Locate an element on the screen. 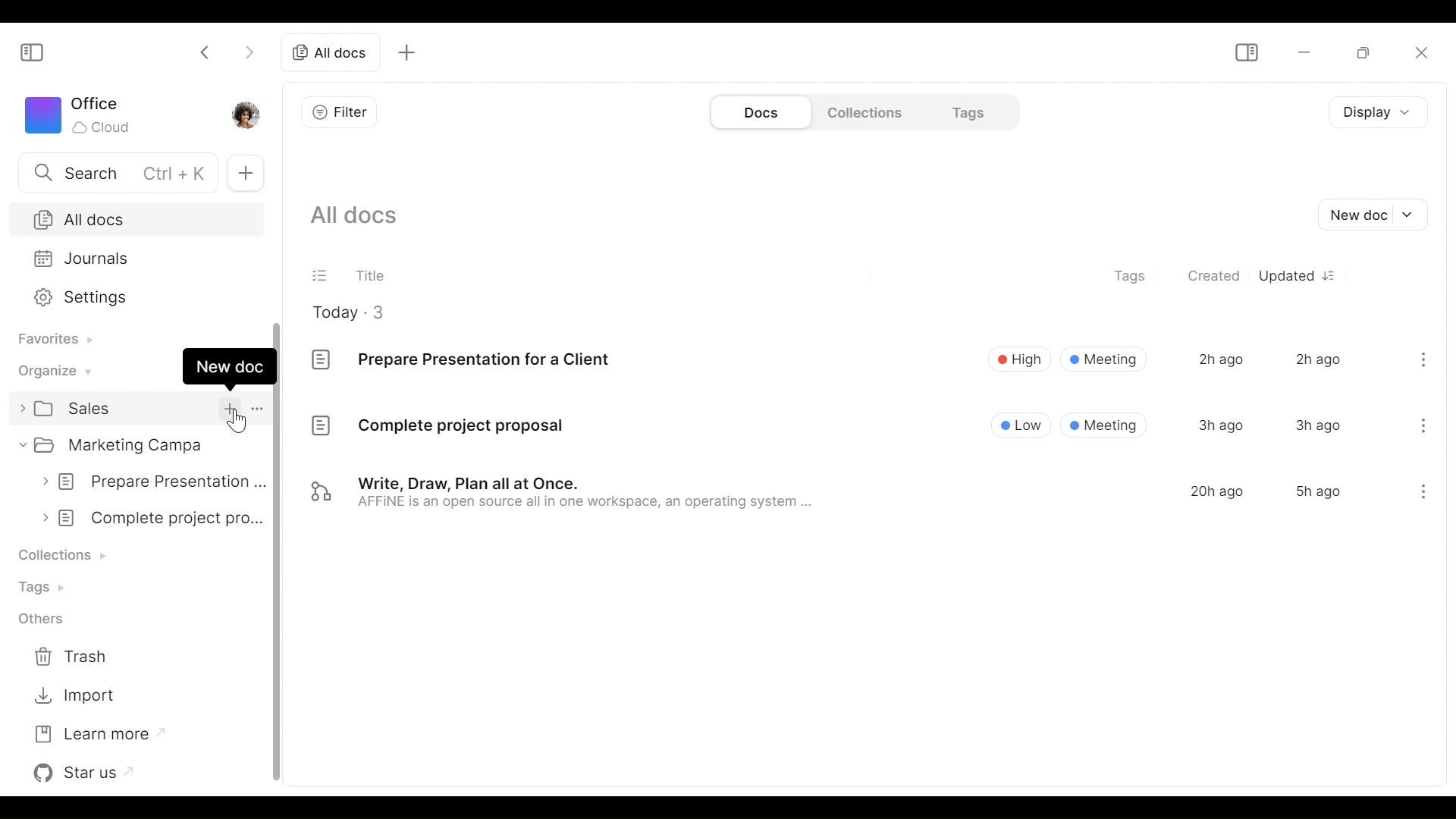 The height and width of the screenshot is (819, 1456). all docs is located at coordinates (330, 53).